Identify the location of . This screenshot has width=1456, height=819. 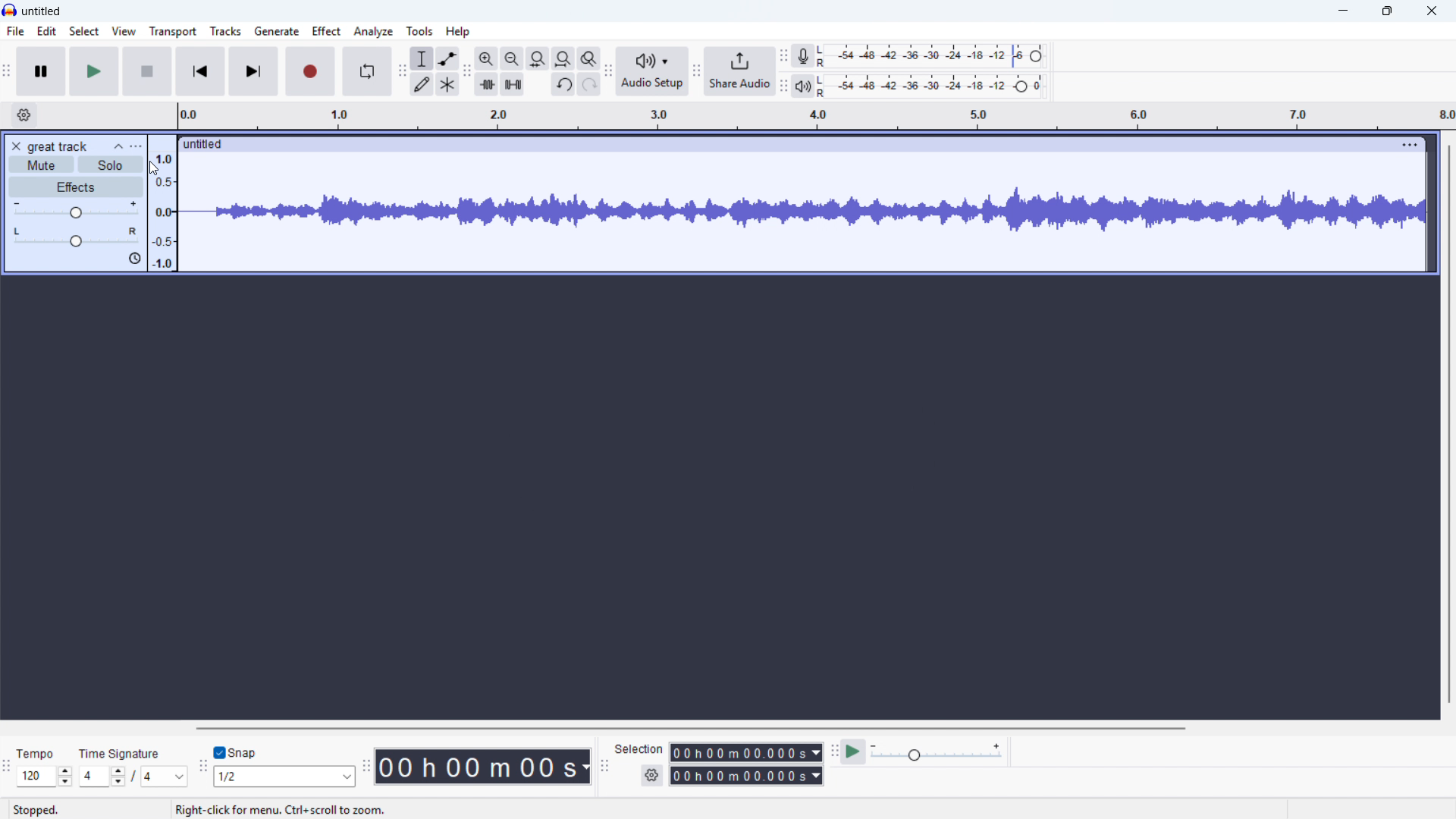
(937, 752).